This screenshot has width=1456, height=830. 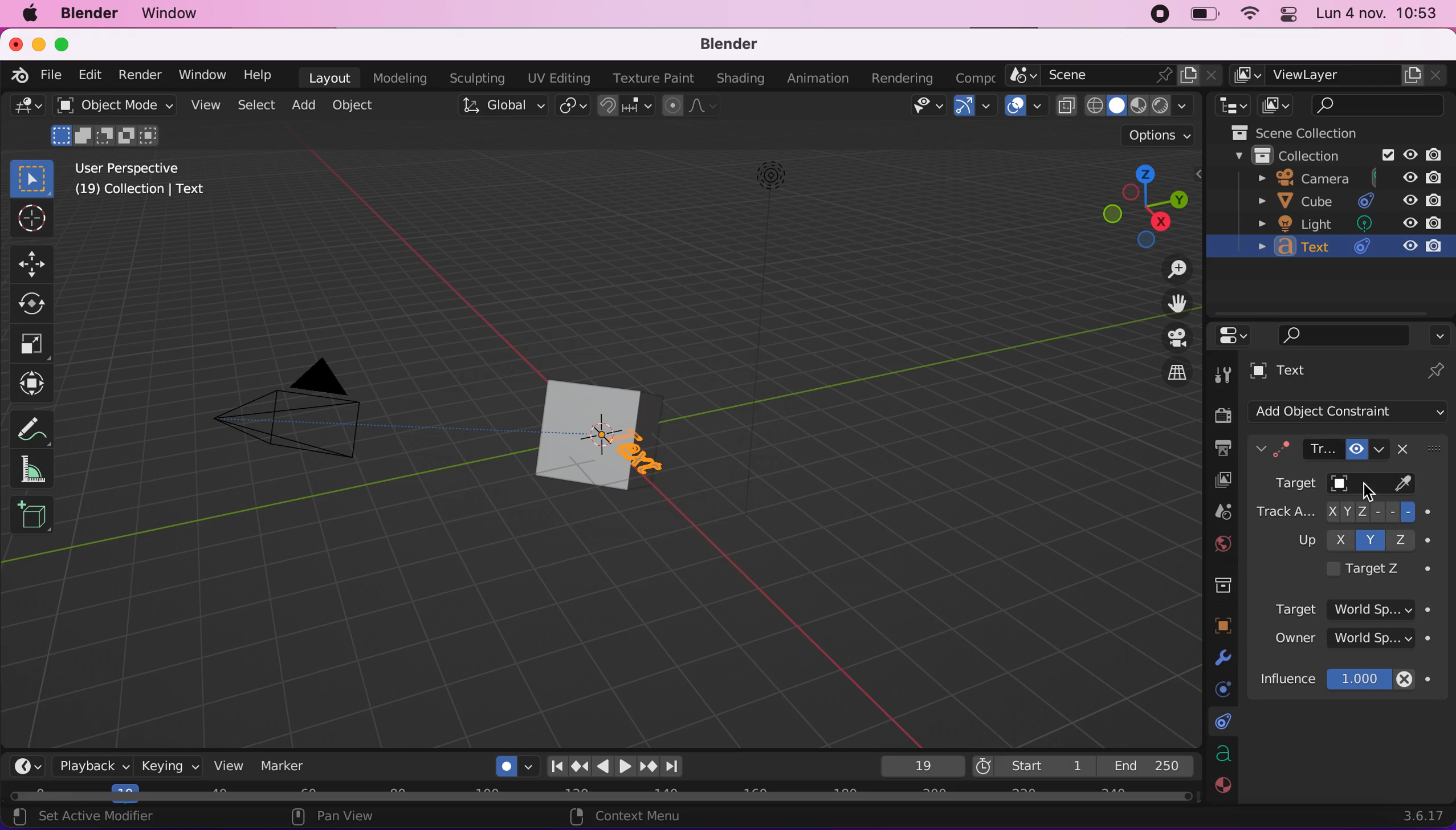 What do you see at coordinates (1348, 512) in the screenshot?
I see `track xyz` at bounding box center [1348, 512].